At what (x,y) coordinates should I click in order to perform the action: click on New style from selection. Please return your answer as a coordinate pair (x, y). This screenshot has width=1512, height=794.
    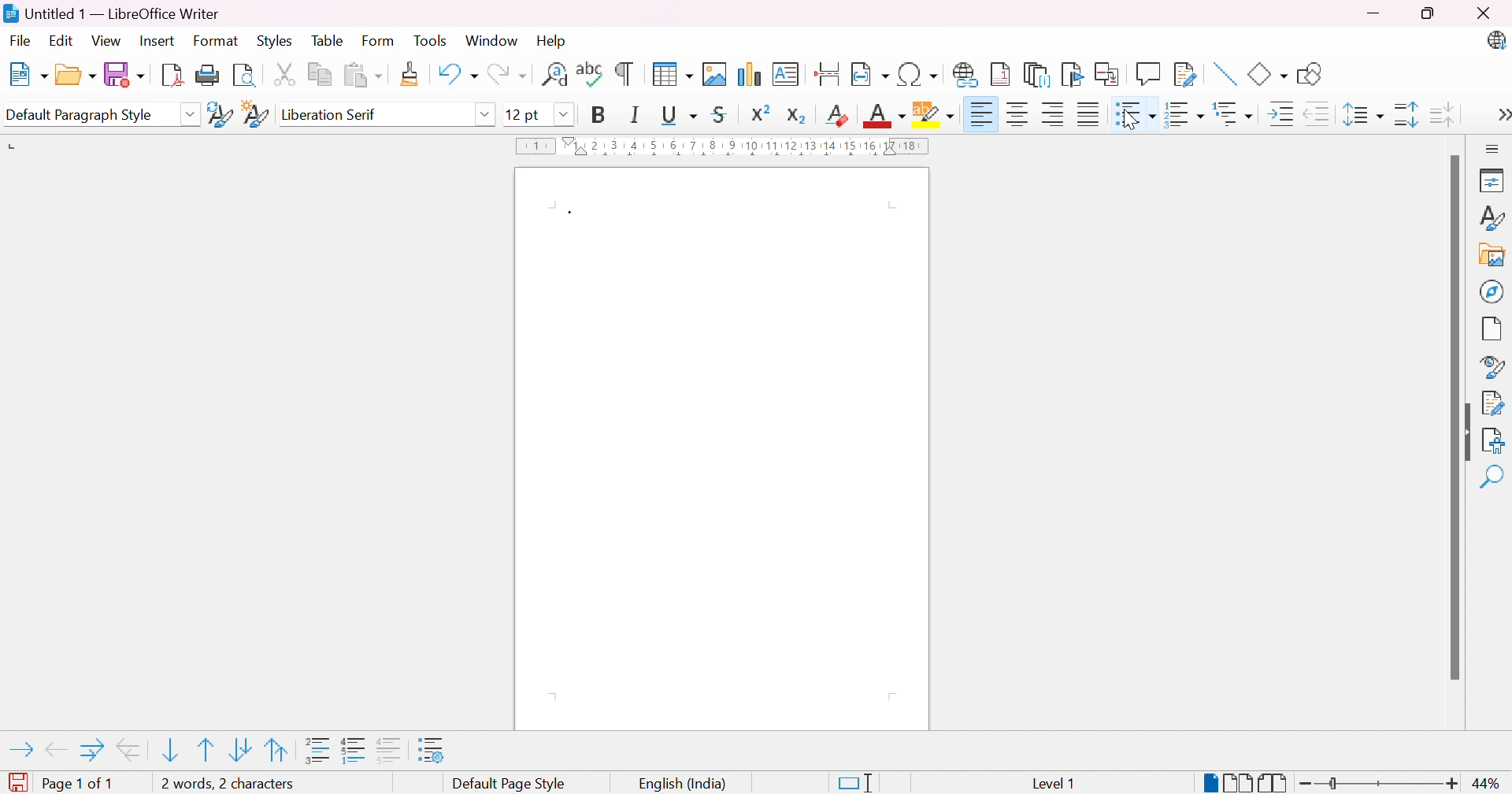
    Looking at the image, I should click on (255, 115).